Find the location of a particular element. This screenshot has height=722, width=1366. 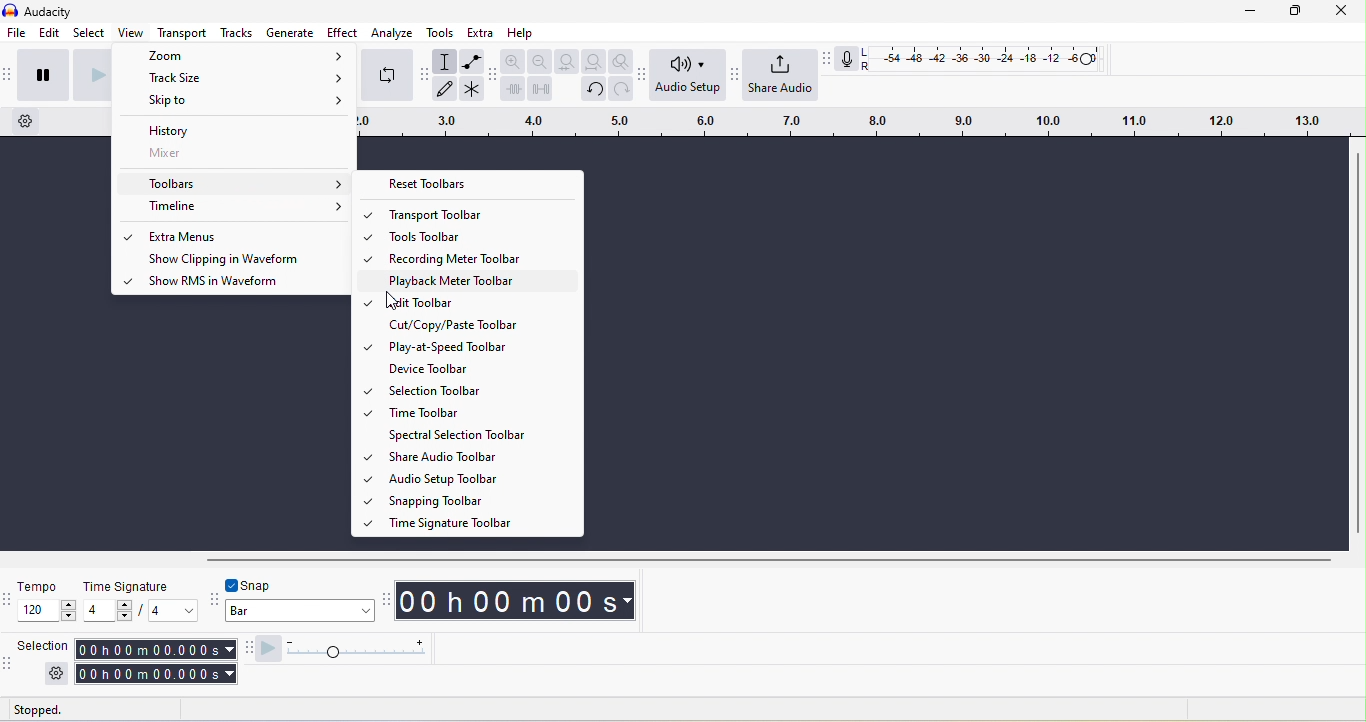

snapping toolbar is located at coordinates (213, 601).